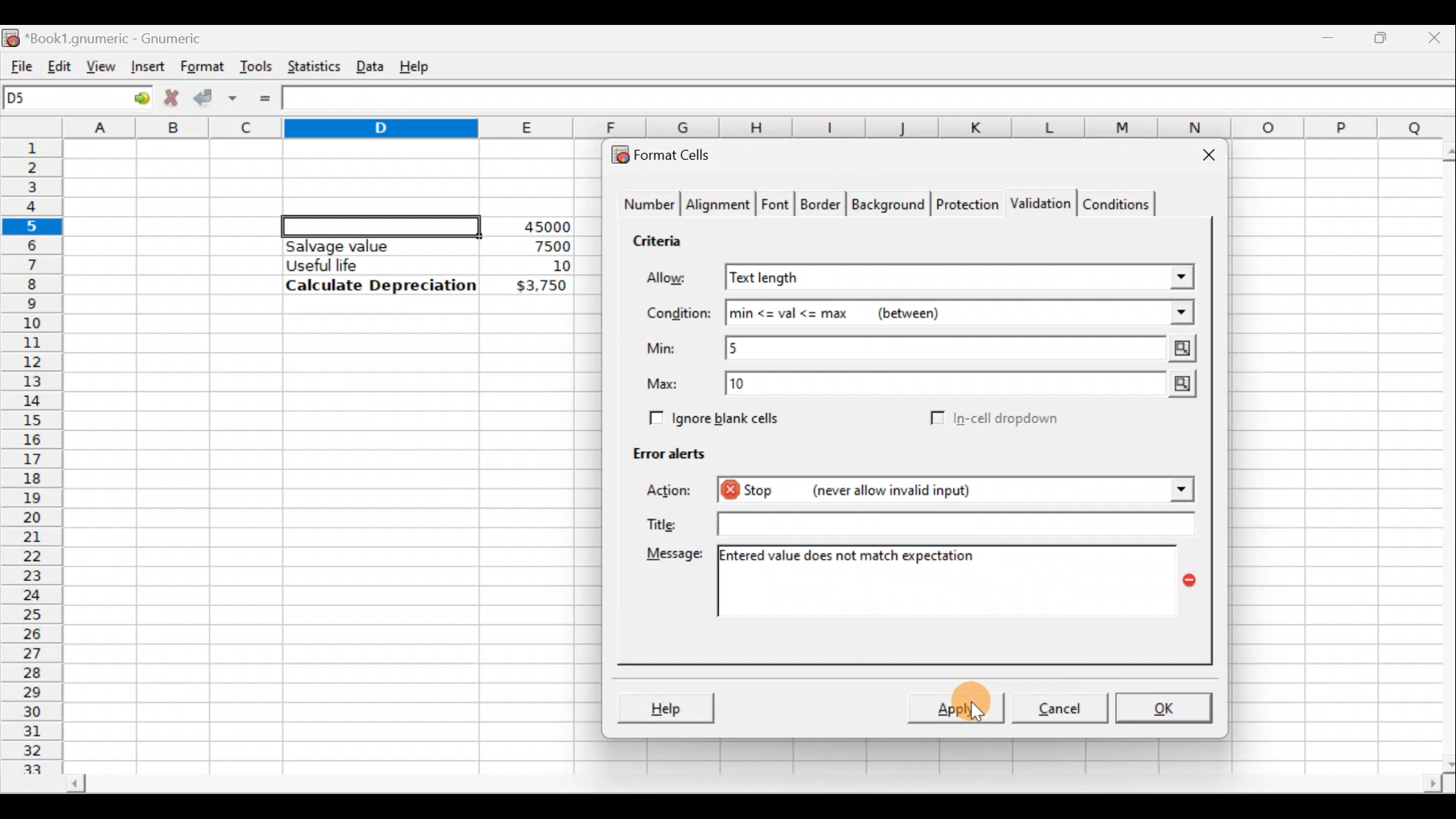  Describe the element at coordinates (873, 100) in the screenshot. I see `Formula bar` at that location.